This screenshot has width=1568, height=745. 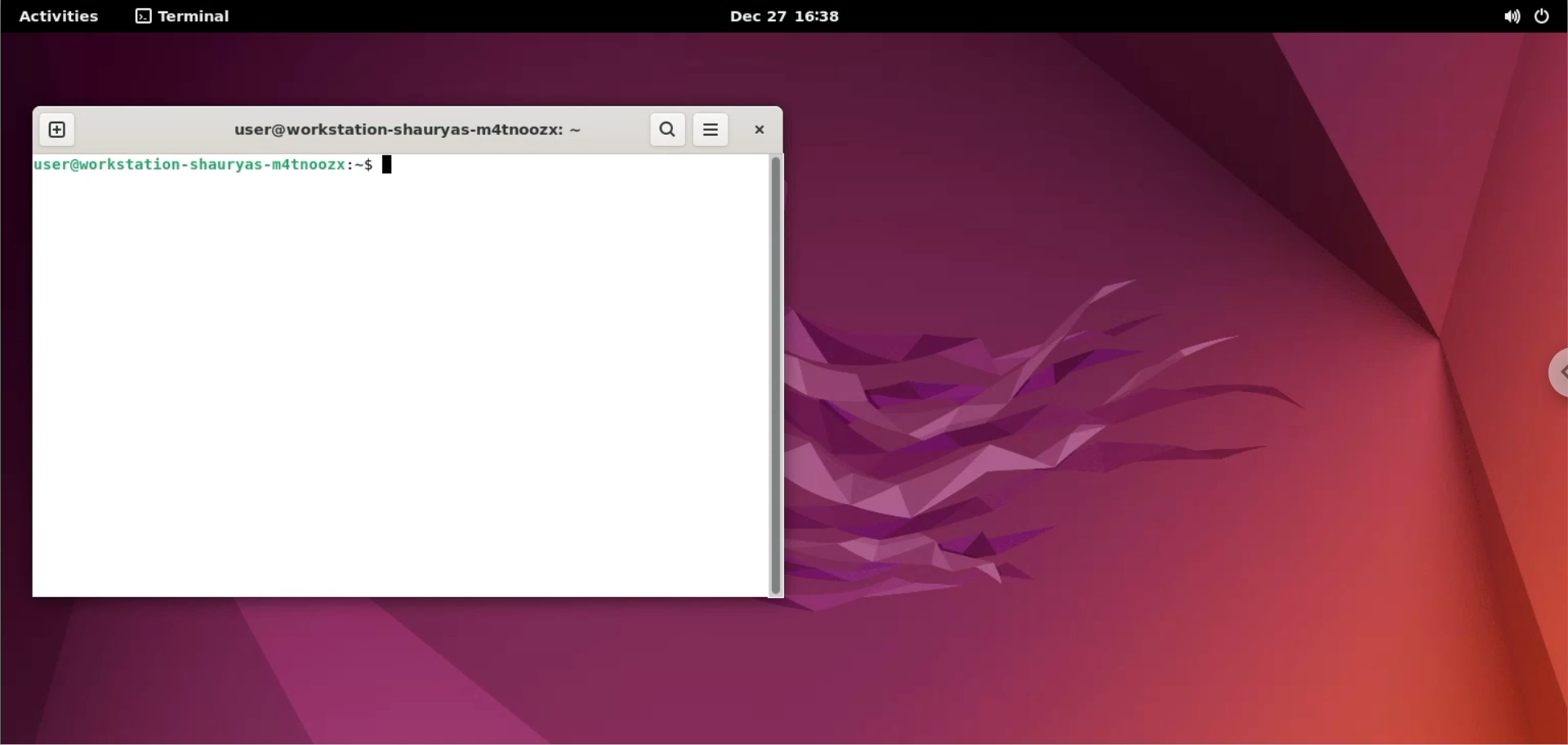 I want to click on Terminal, so click(x=189, y=16).